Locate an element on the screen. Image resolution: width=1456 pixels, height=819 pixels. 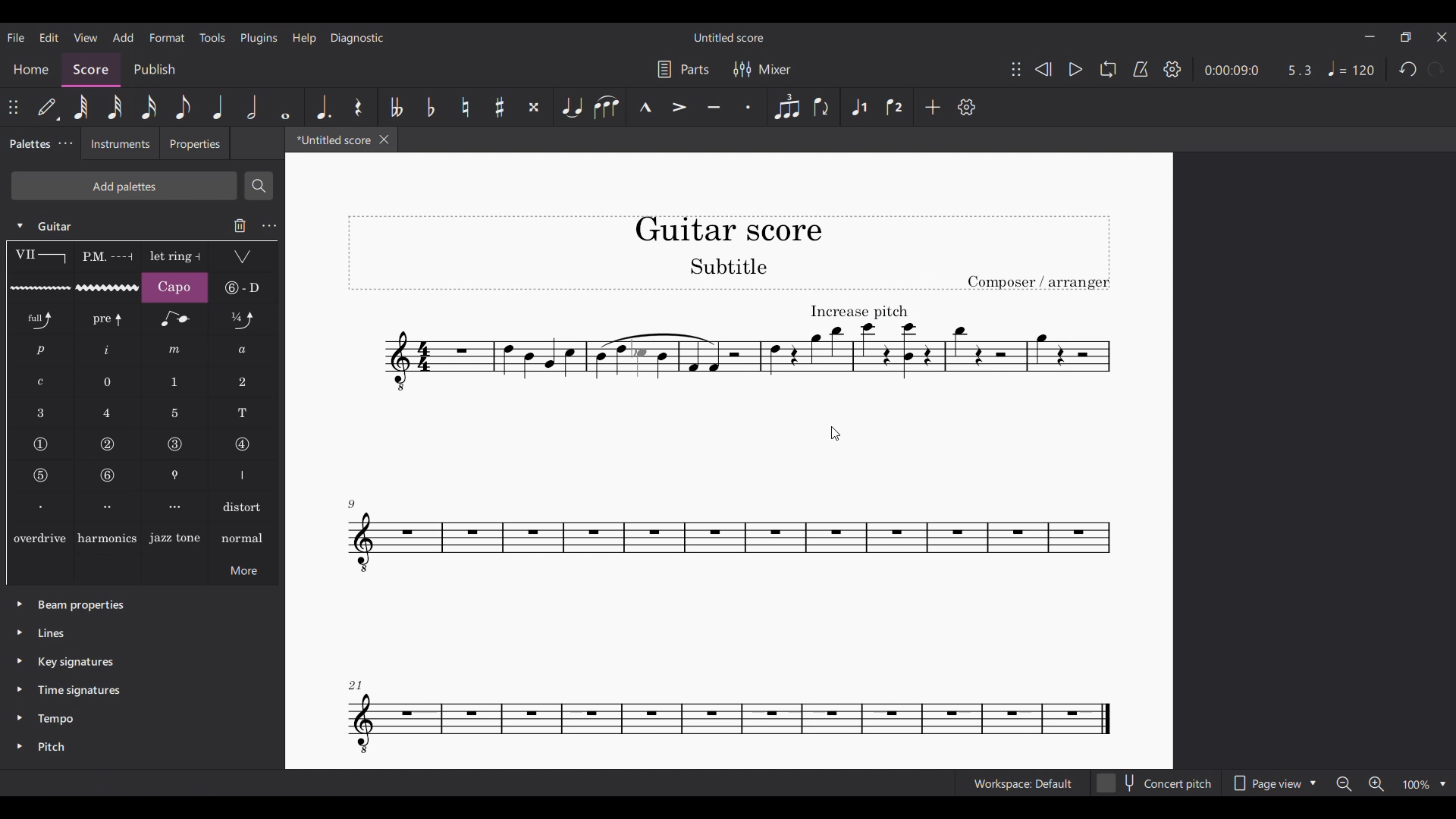
Click to expand beam properties is located at coordinates (20, 604).